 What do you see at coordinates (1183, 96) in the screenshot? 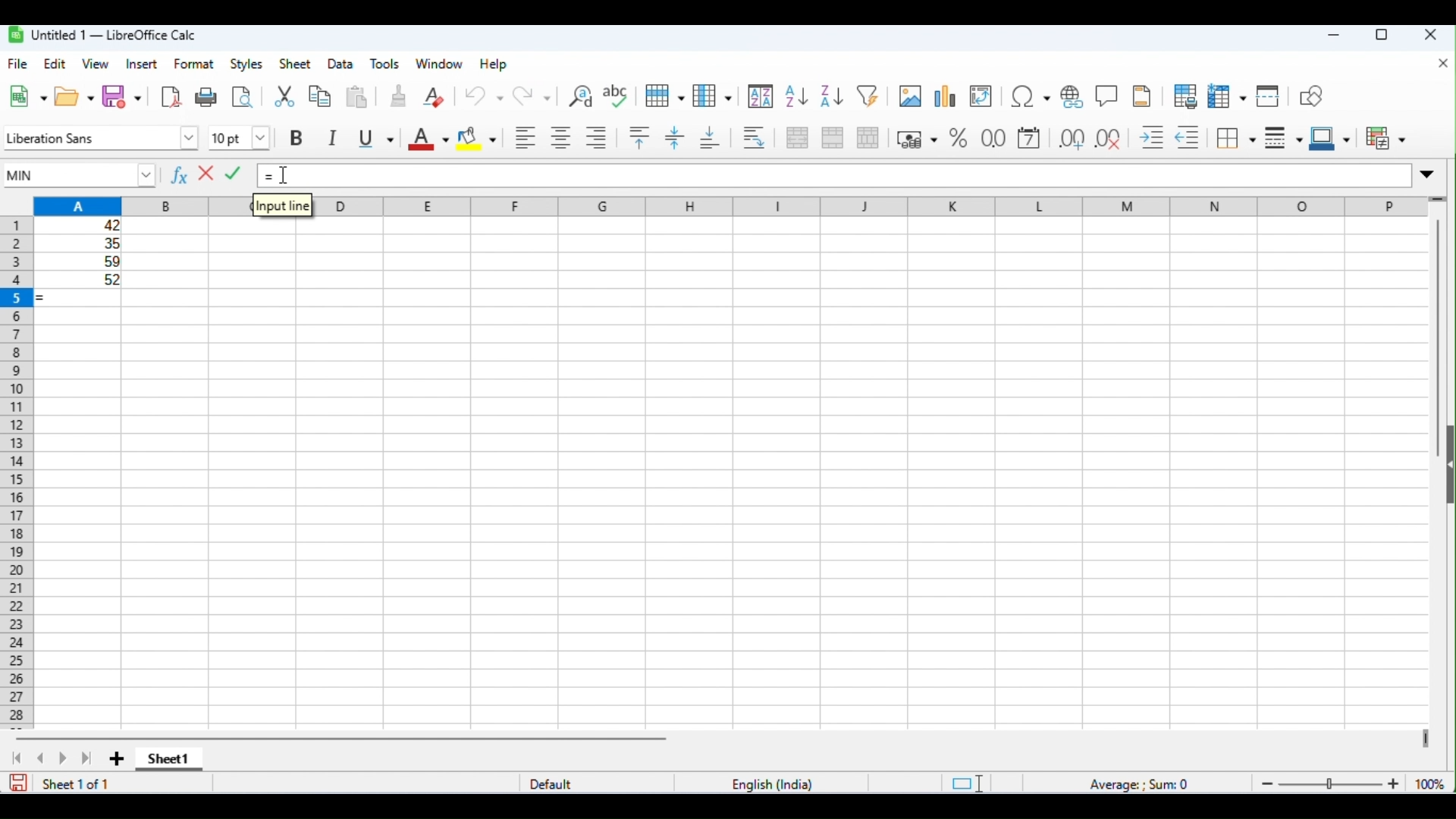
I see `toggle print preview` at bounding box center [1183, 96].